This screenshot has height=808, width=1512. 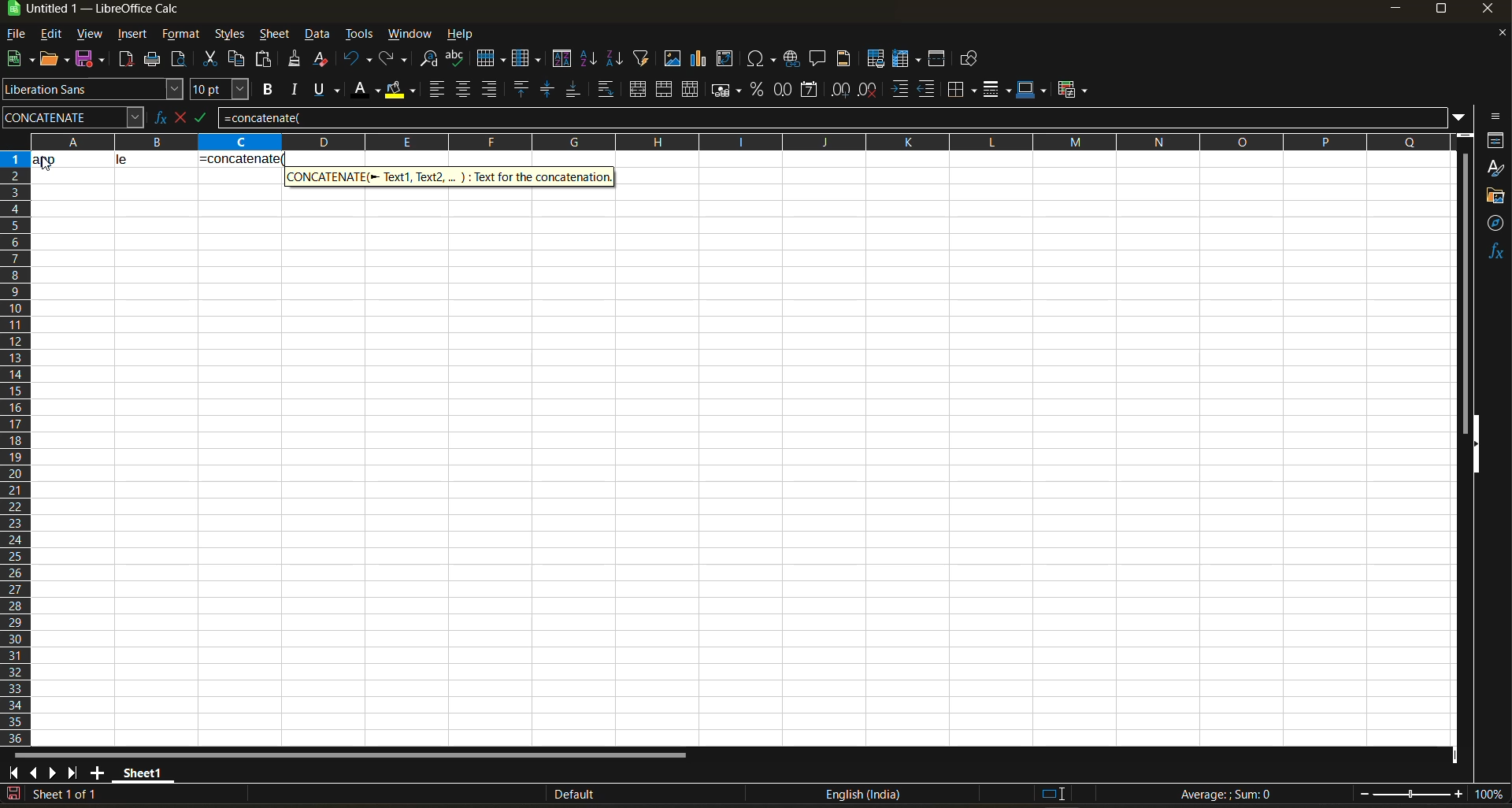 What do you see at coordinates (835, 118) in the screenshot?
I see `=concatenate` at bounding box center [835, 118].